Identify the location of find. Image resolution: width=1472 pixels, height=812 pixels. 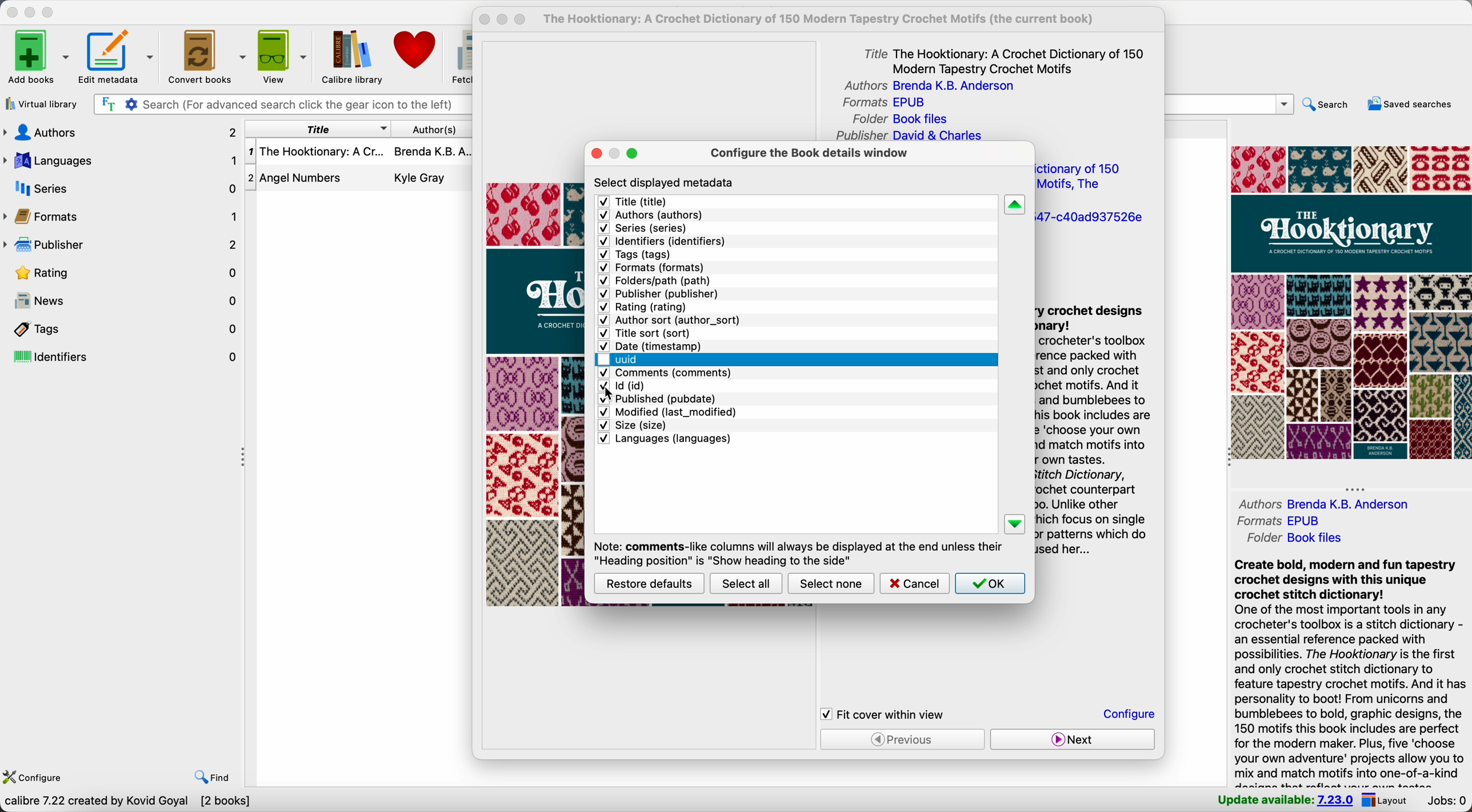
(214, 778).